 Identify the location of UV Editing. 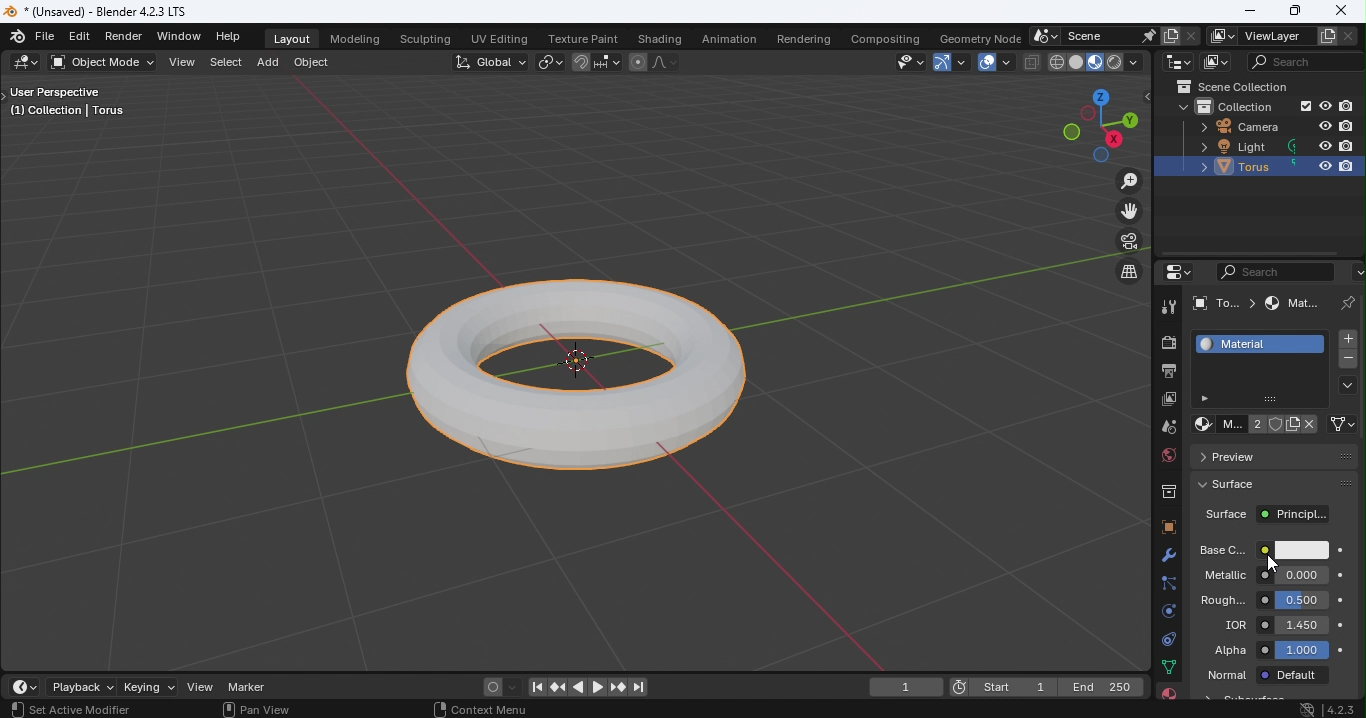
(500, 37).